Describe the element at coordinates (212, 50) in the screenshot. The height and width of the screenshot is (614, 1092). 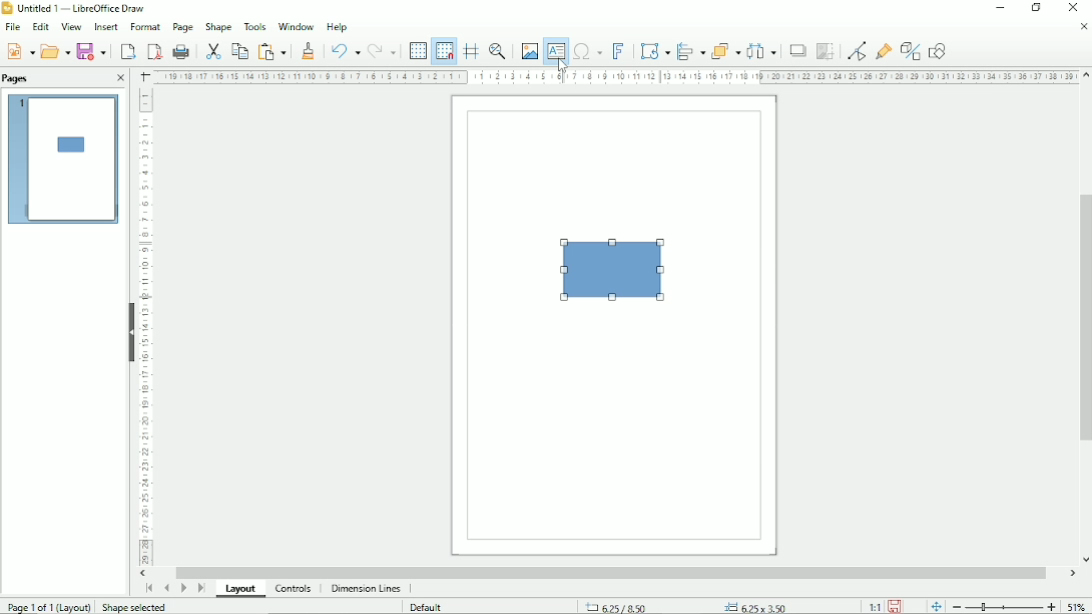
I see `Cut` at that location.